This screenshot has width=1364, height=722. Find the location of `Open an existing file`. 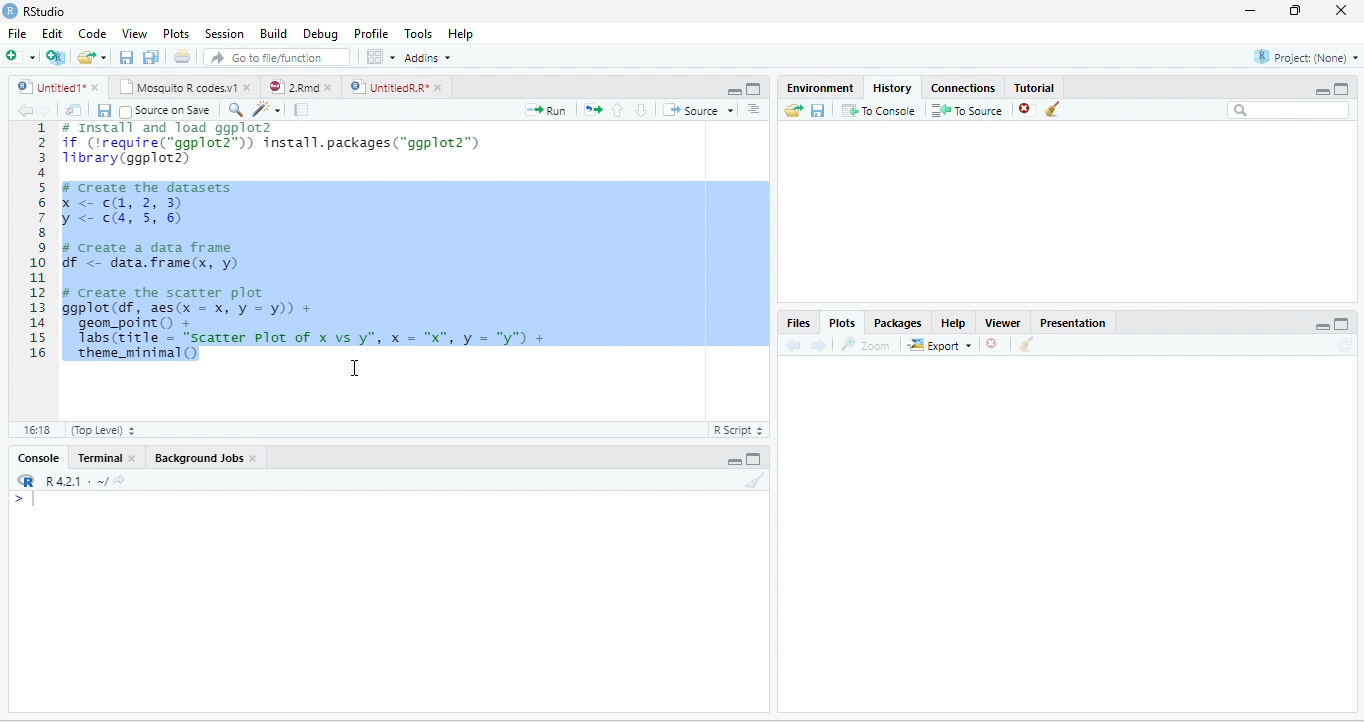

Open an existing file is located at coordinates (86, 57).